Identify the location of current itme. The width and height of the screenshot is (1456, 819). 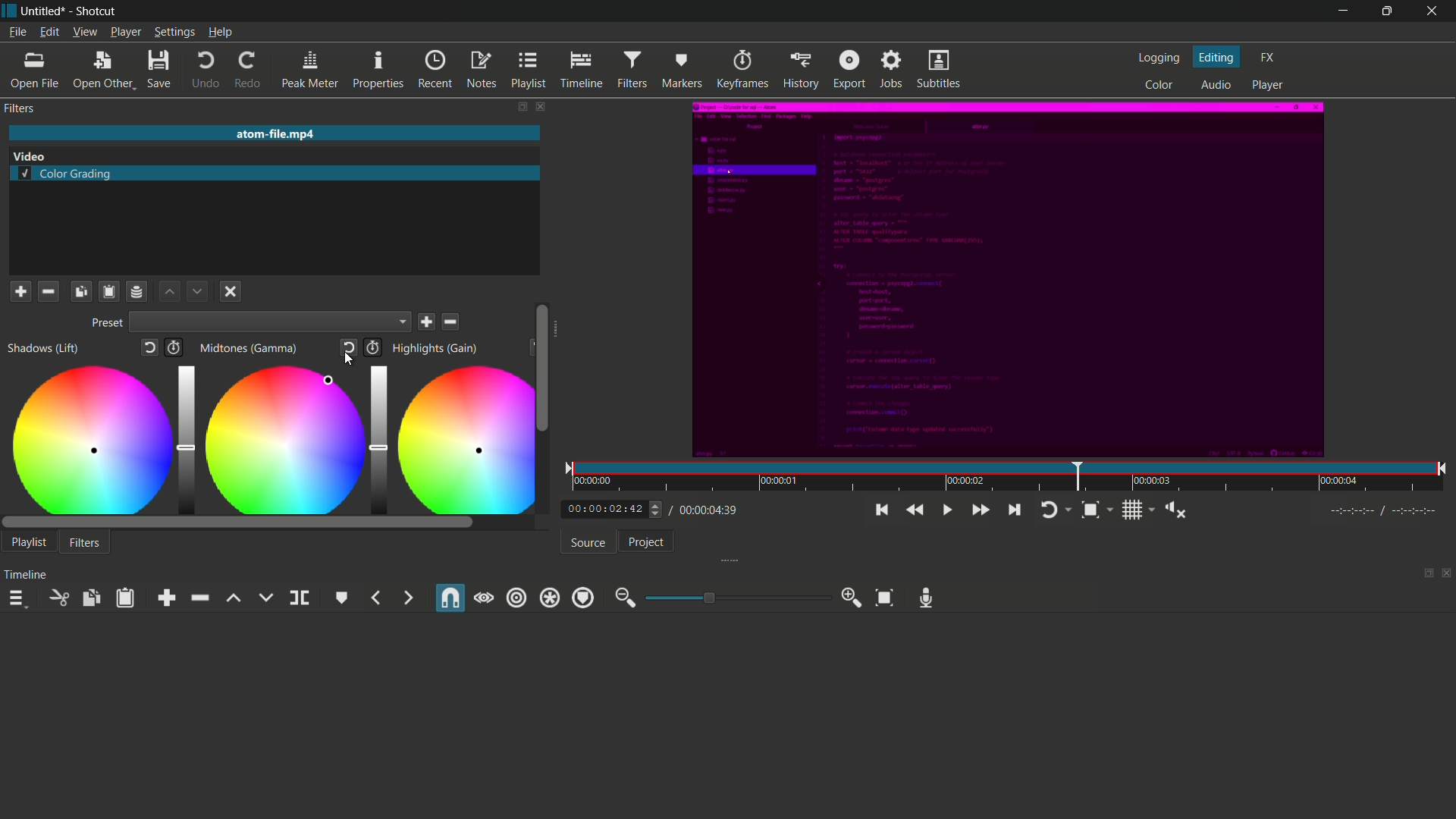
(607, 510).